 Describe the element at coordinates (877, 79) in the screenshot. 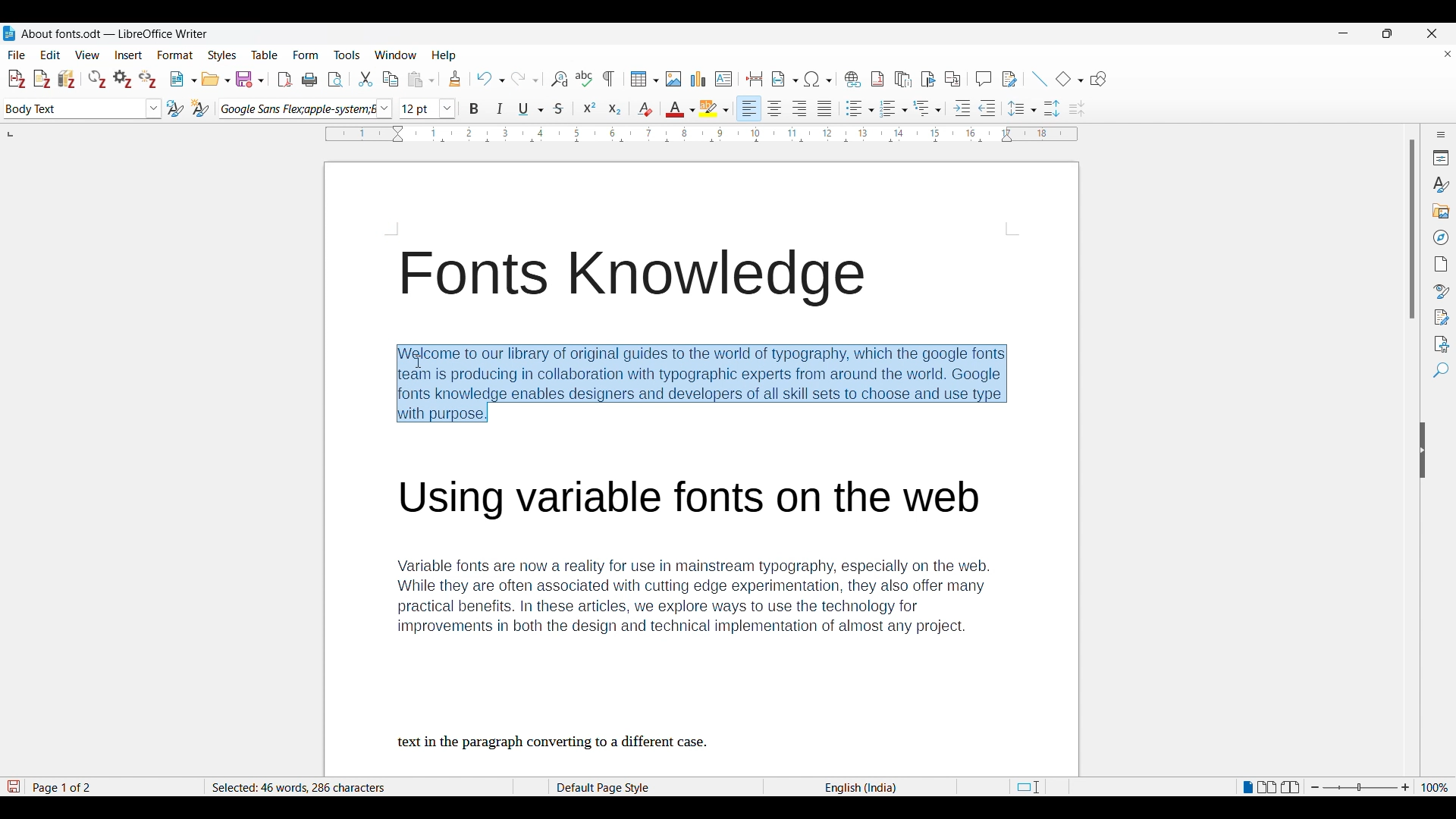

I see `Insert footnote` at that location.